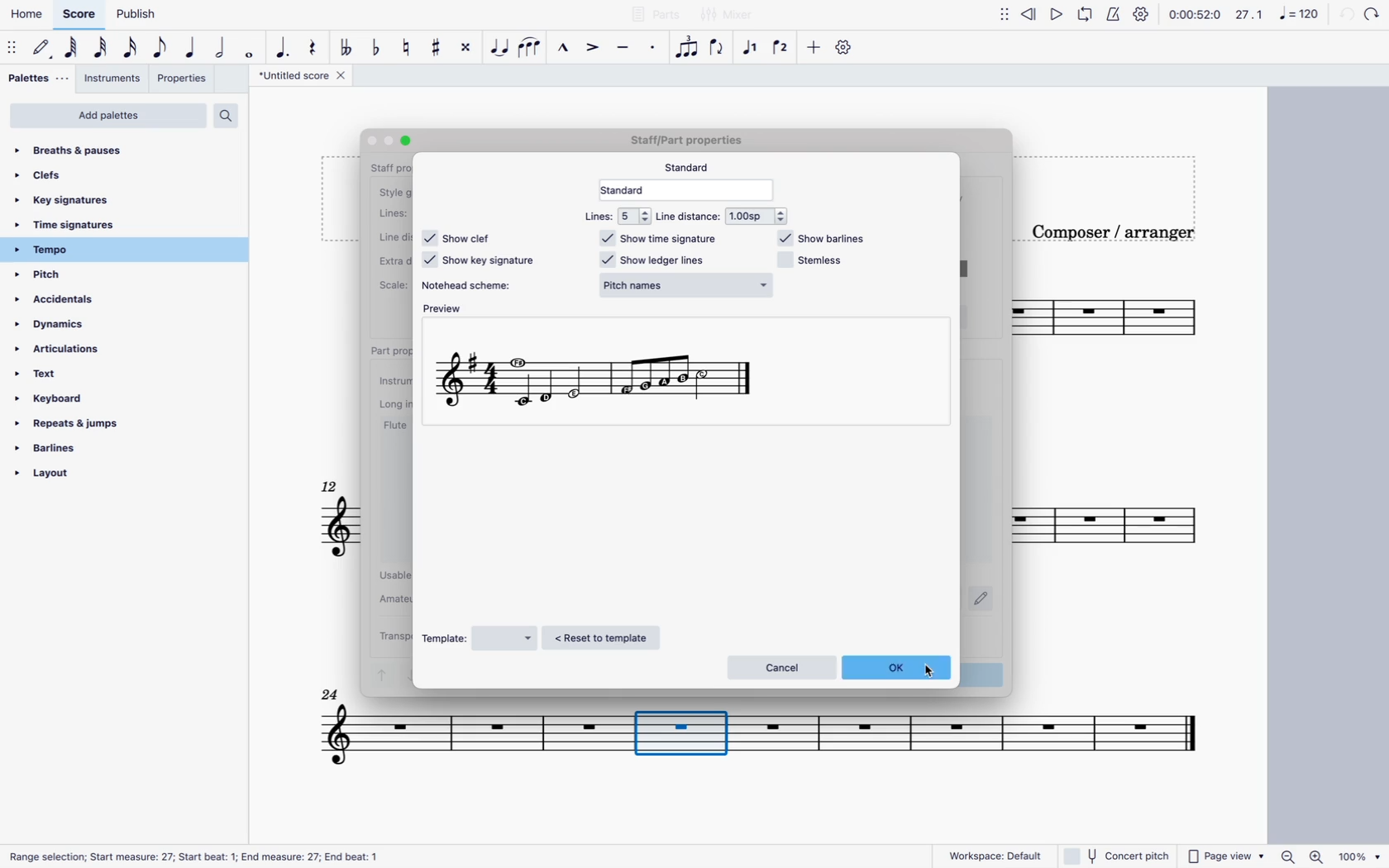 Image resolution: width=1389 pixels, height=868 pixels. I want to click on workspace, so click(996, 855).